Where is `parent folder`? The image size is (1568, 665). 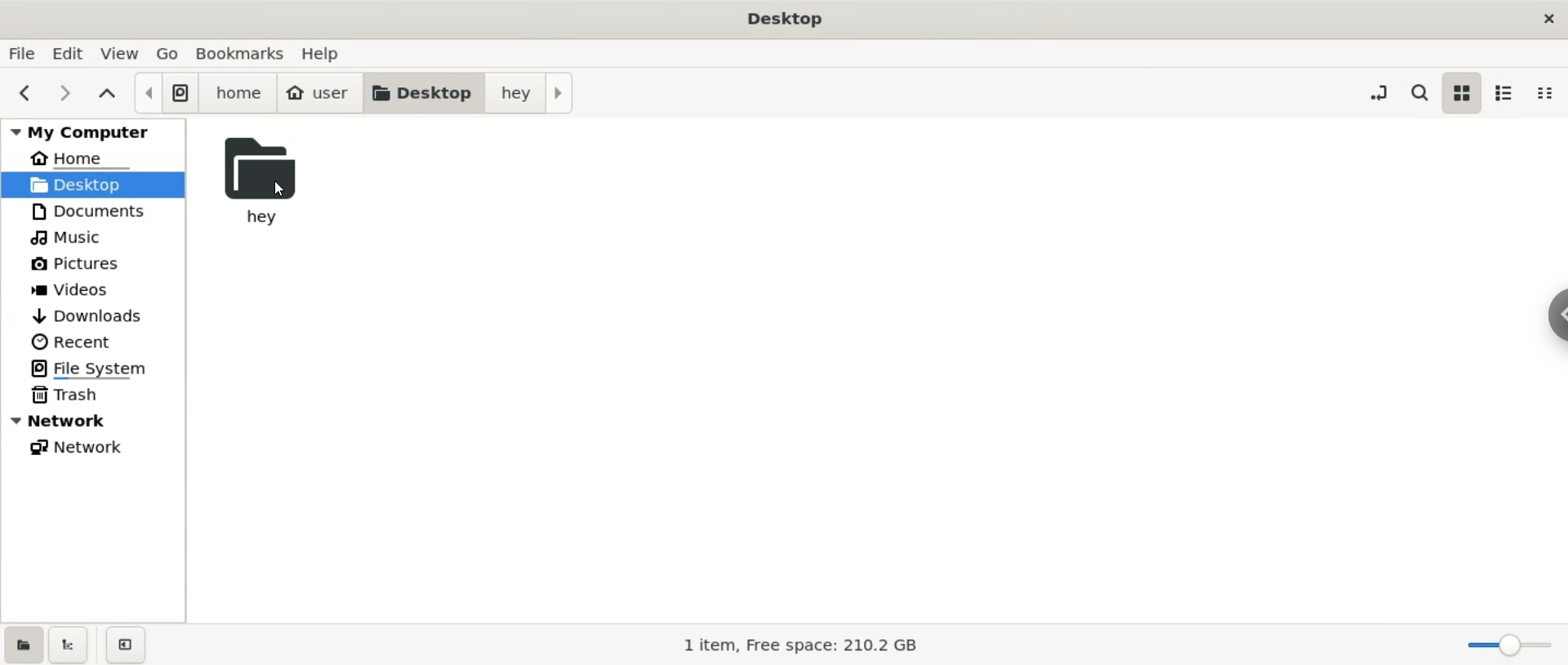
parent folder is located at coordinates (109, 95).